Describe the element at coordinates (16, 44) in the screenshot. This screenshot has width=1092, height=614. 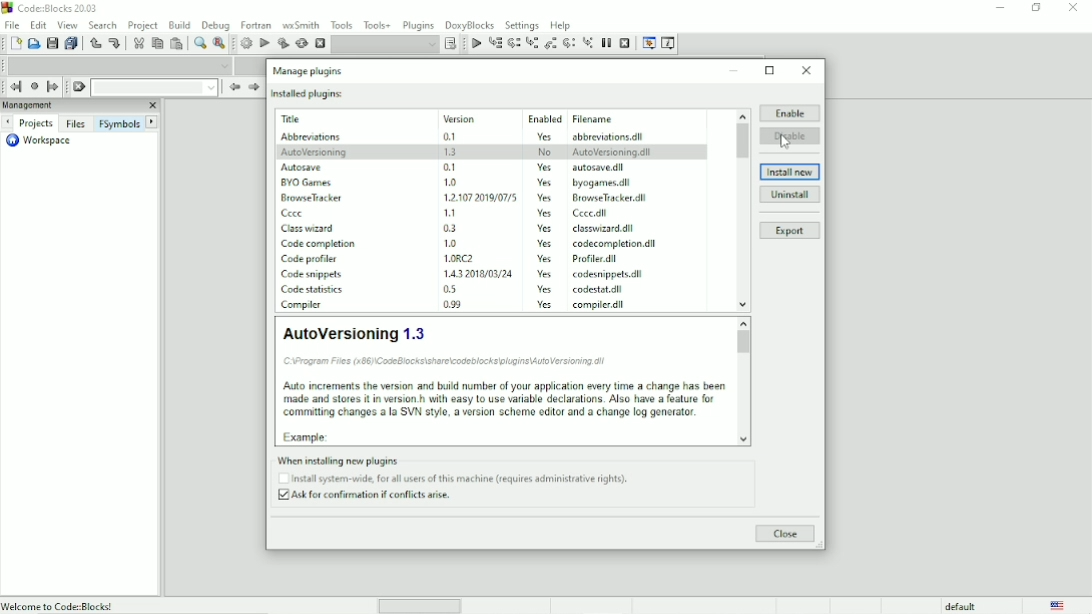
I see `New file` at that location.